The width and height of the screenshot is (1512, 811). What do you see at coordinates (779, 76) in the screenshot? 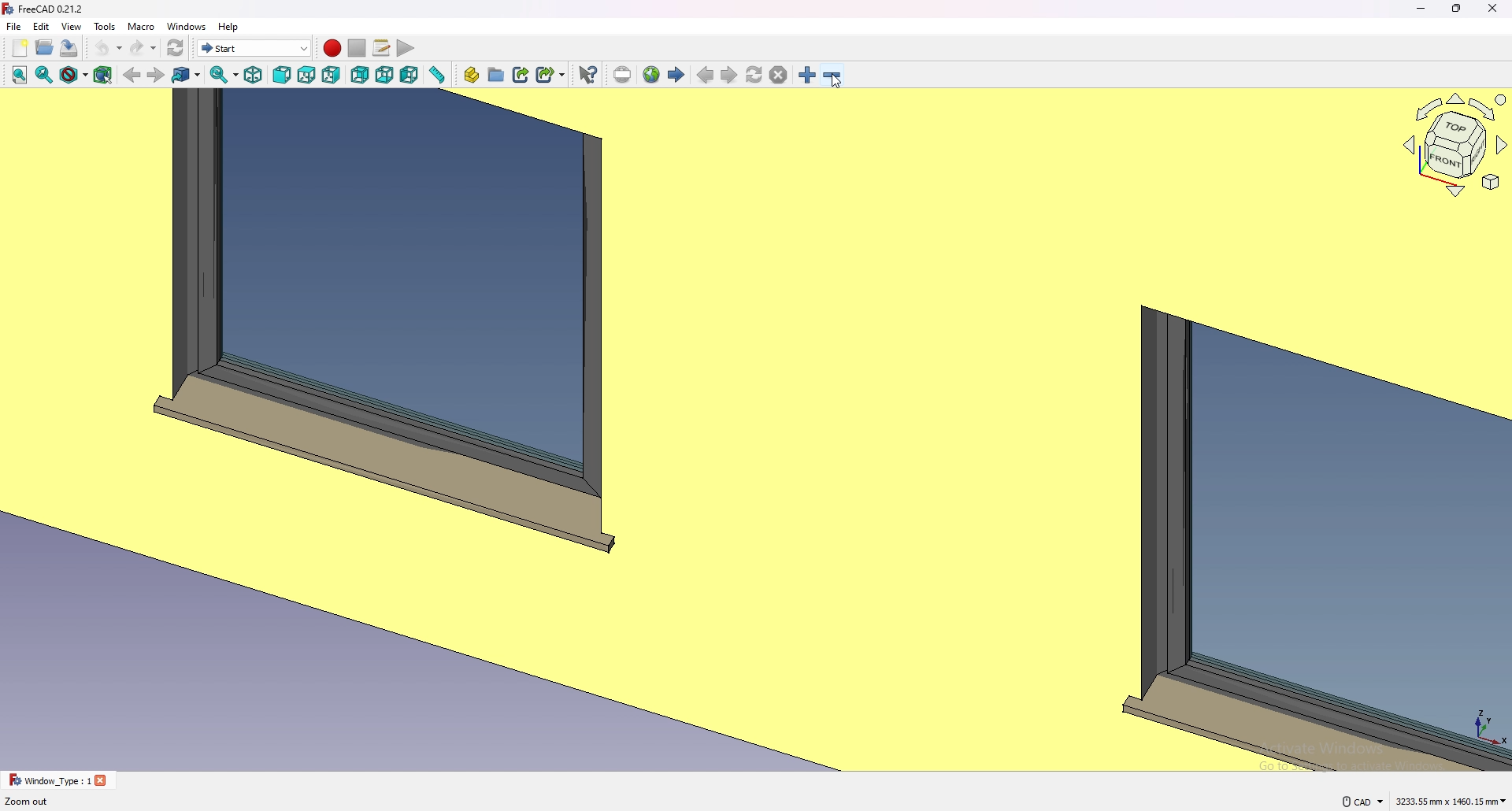
I see `stop loading` at bounding box center [779, 76].